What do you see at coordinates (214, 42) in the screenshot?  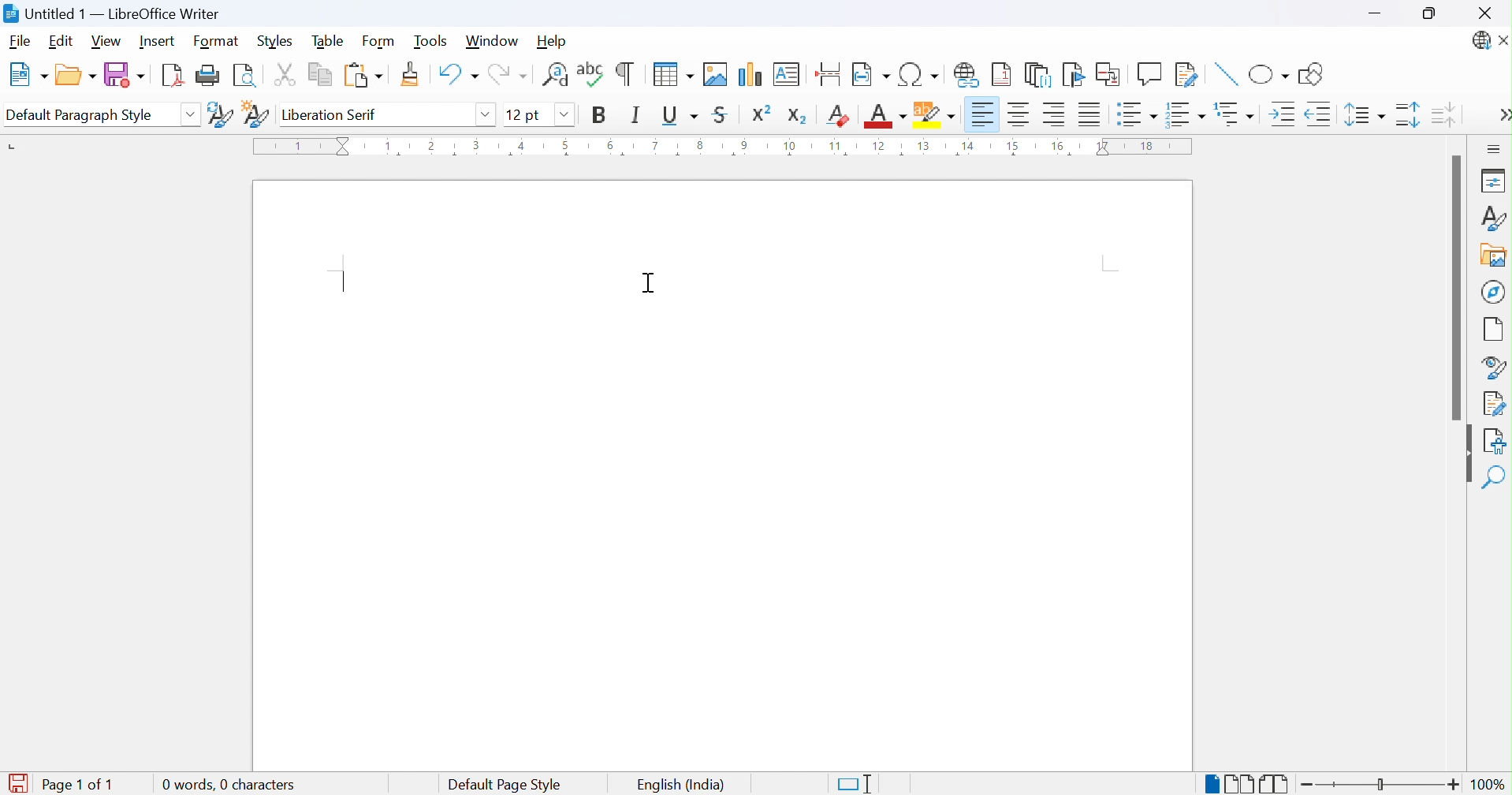 I see `Format` at bounding box center [214, 42].